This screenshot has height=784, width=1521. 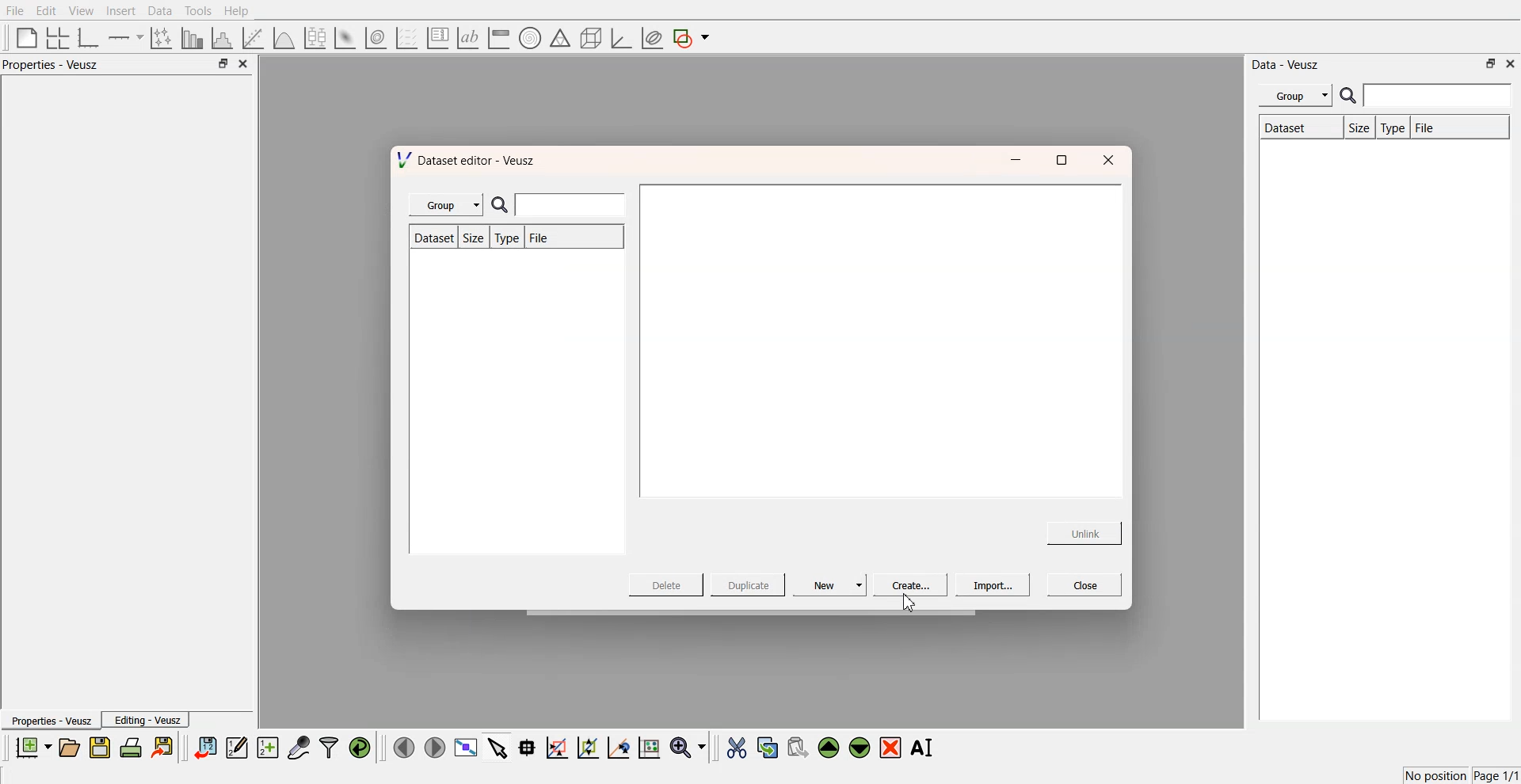 I want to click on blank page, so click(x=23, y=36).